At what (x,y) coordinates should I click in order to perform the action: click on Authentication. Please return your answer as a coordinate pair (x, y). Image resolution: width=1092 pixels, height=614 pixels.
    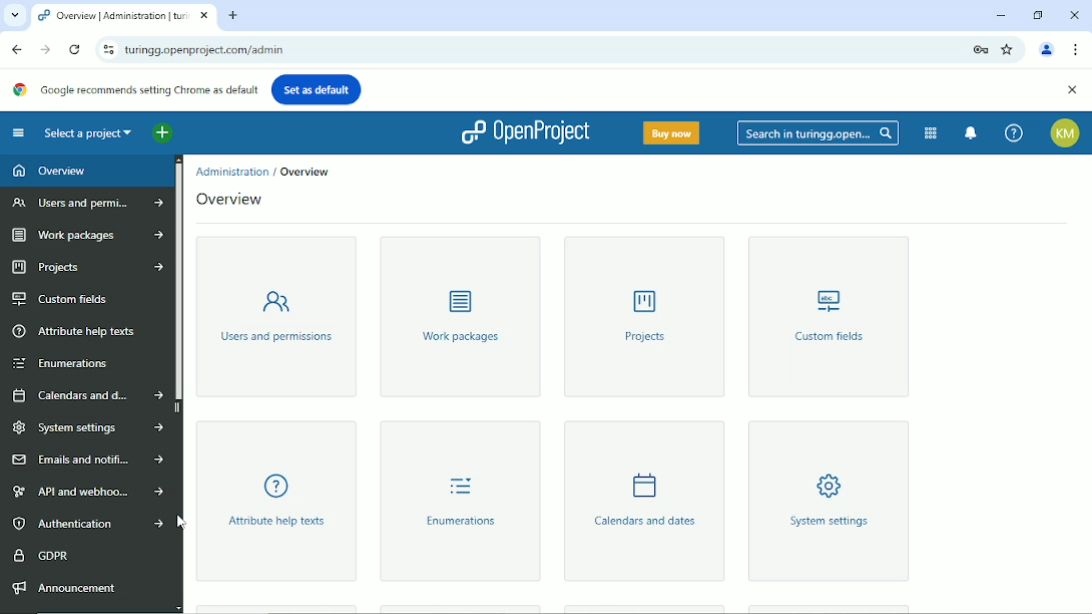
    Looking at the image, I should click on (86, 524).